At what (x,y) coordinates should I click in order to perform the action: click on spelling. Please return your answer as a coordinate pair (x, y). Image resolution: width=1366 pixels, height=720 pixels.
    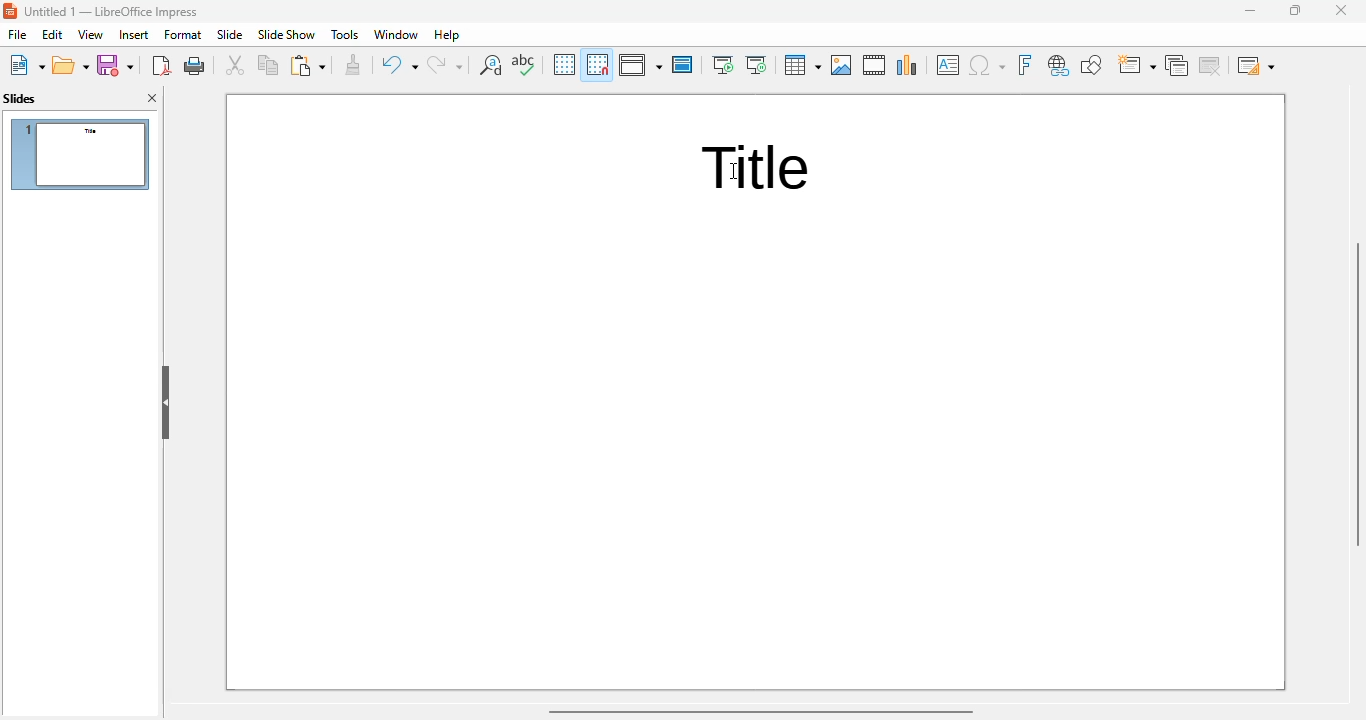
    Looking at the image, I should click on (524, 64).